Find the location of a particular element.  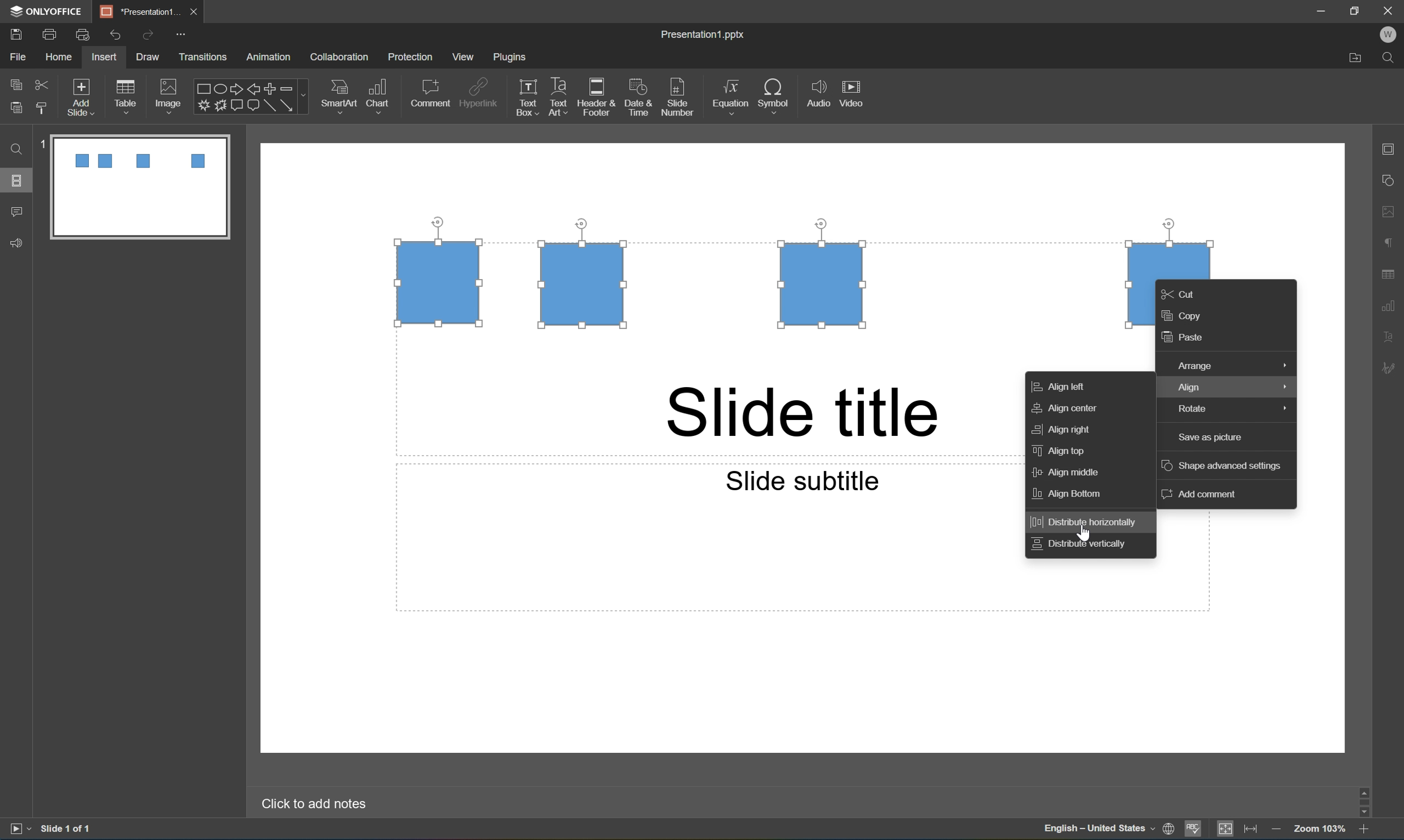

view is located at coordinates (461, 57).